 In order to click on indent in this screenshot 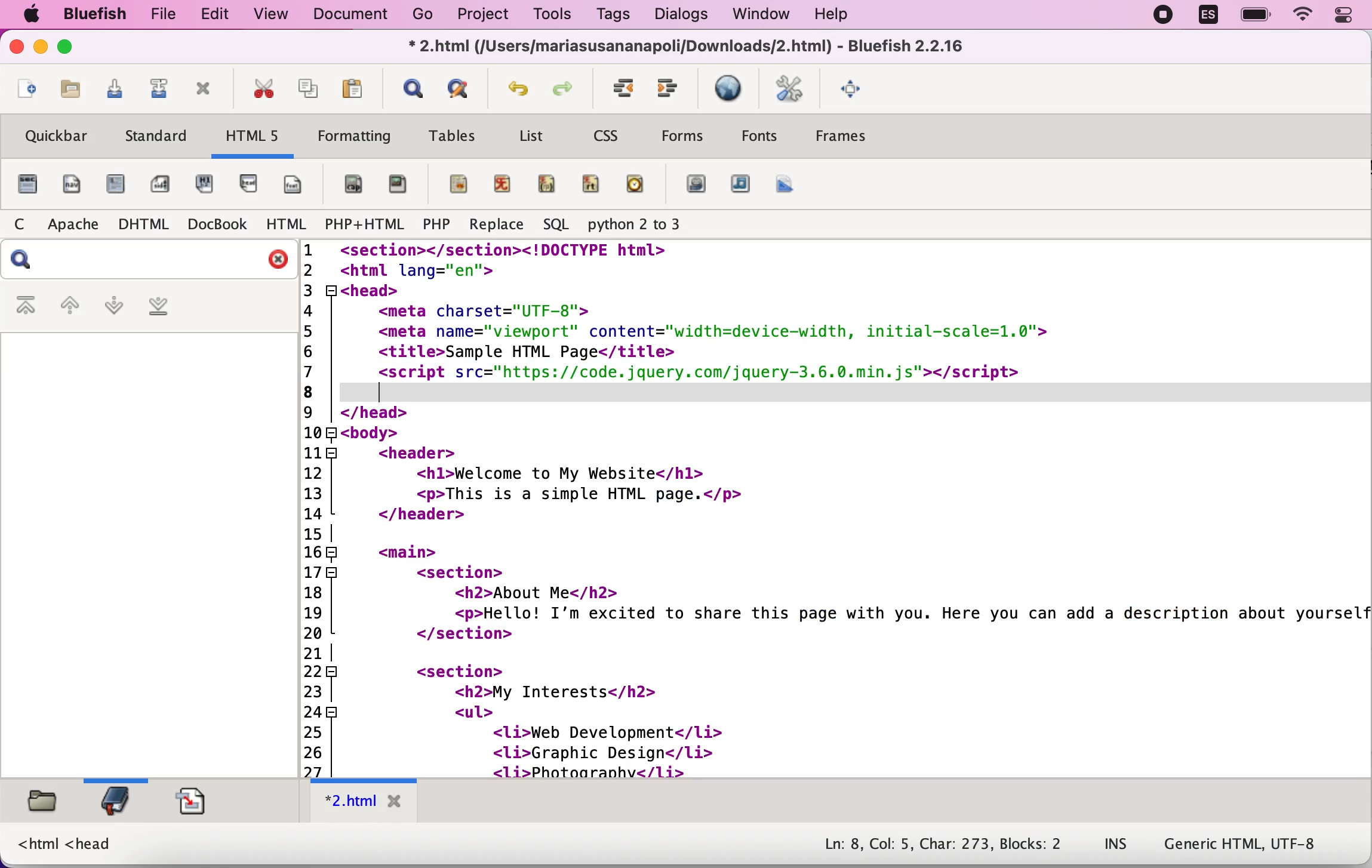, I will do `click(670, 90)`.